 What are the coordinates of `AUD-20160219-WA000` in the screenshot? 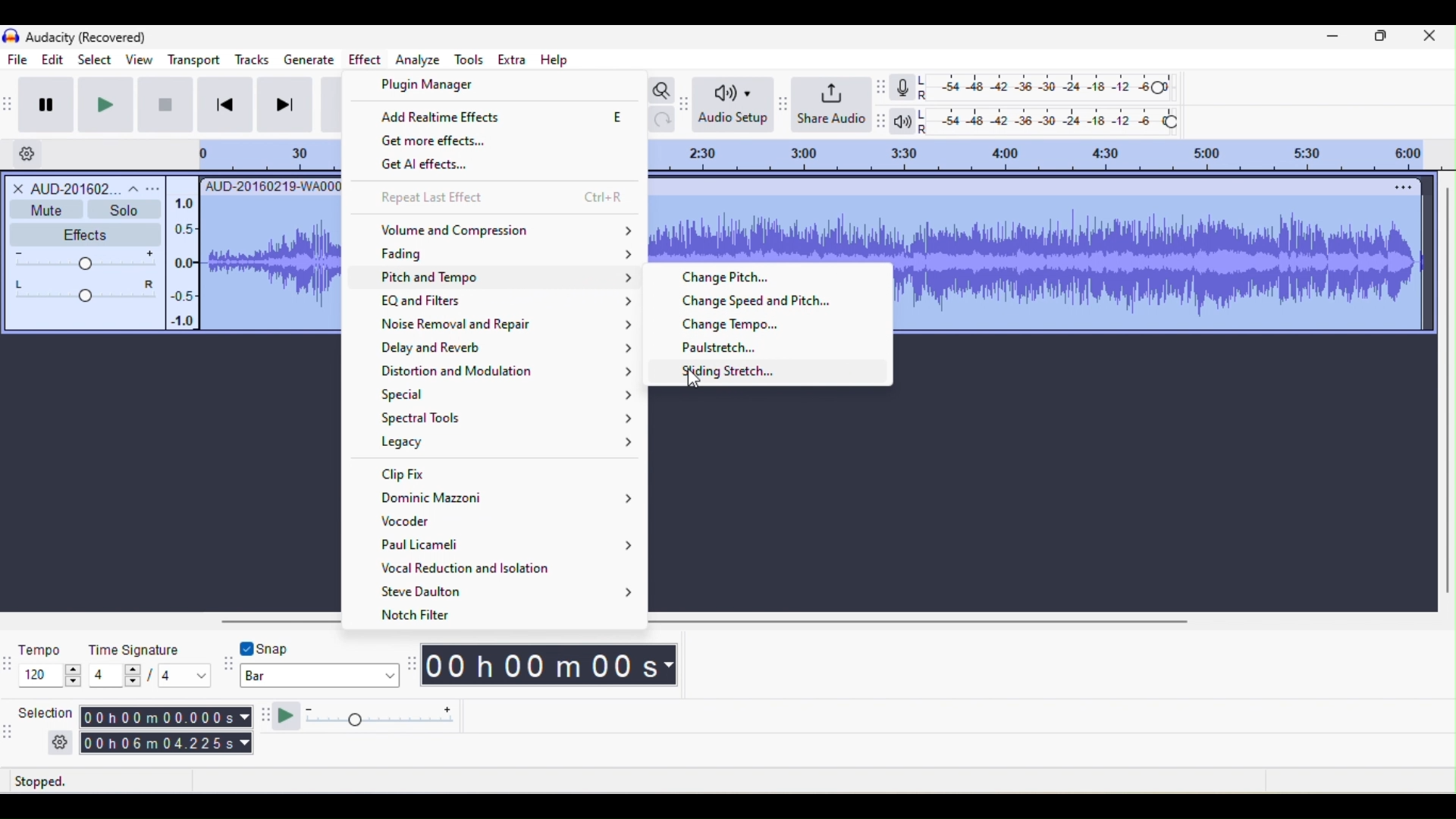 It's located at (271, 185).